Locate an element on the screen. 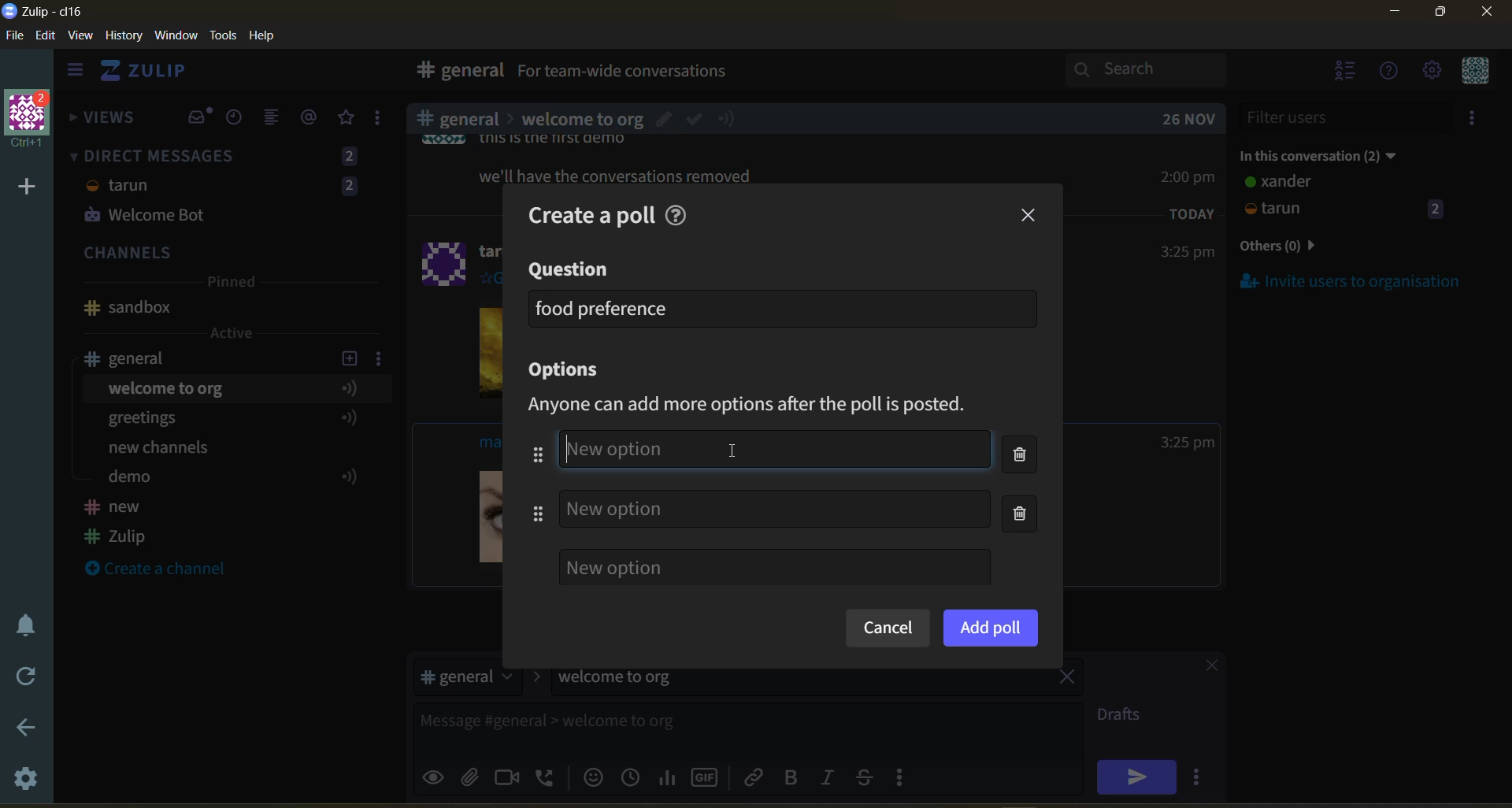  remove topic is located at coordinates (1067, 679).